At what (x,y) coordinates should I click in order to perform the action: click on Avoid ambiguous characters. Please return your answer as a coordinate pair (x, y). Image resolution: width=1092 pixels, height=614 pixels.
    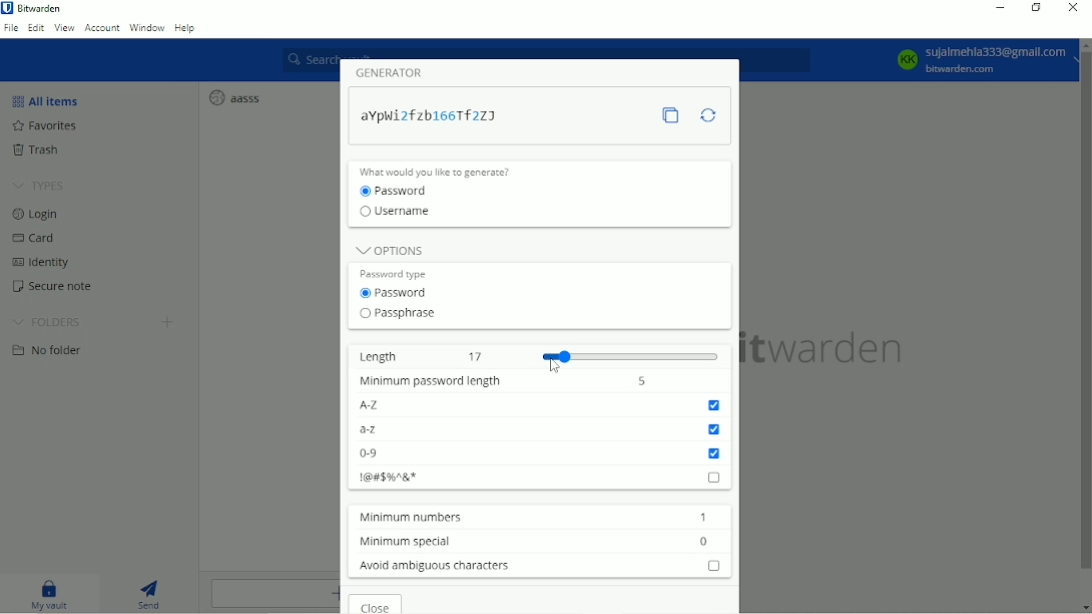
    Looking at the image, I should click on (537, 565).